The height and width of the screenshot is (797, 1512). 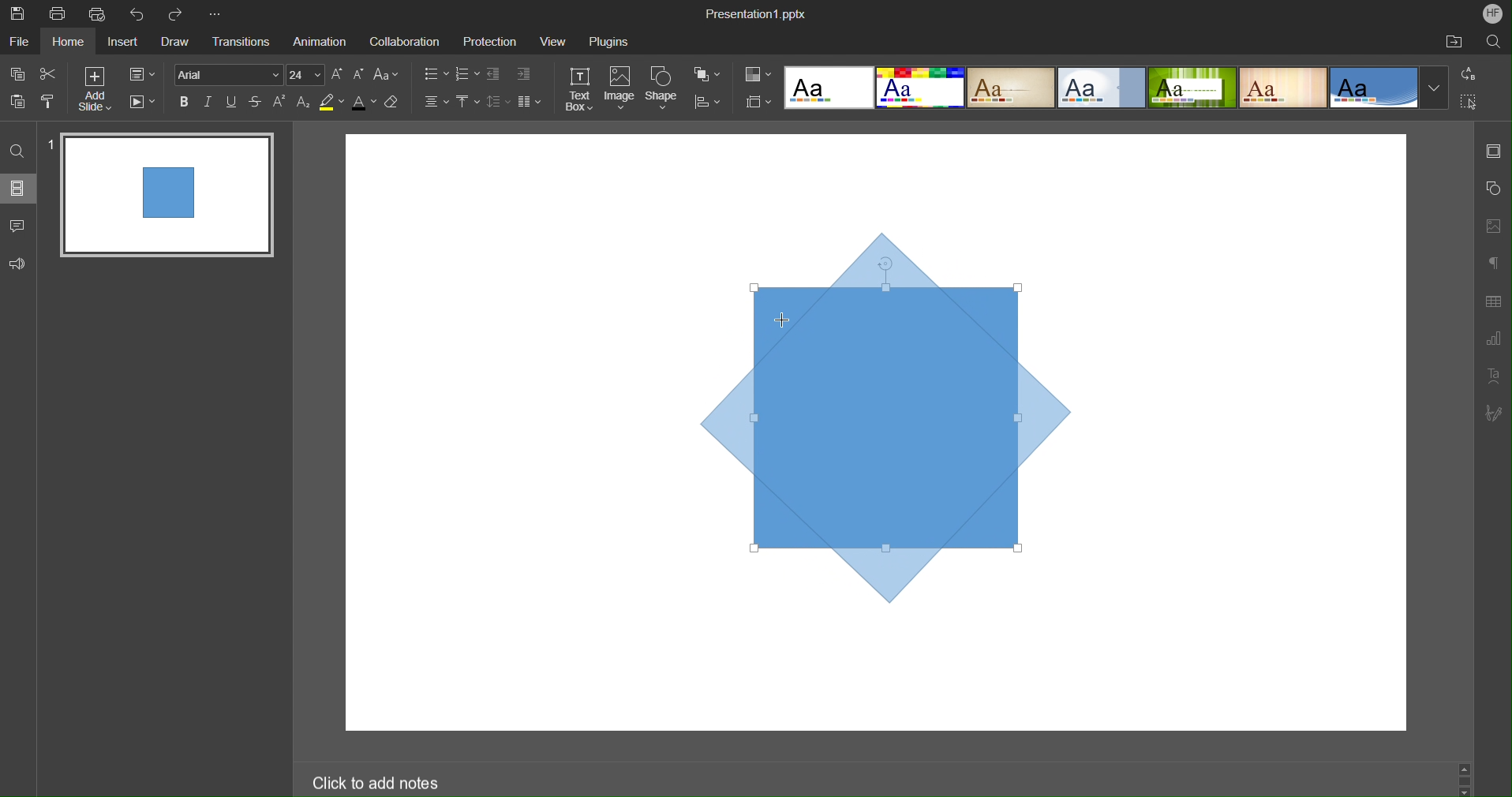 I want to click on Underline, so click(x=230, y=102).